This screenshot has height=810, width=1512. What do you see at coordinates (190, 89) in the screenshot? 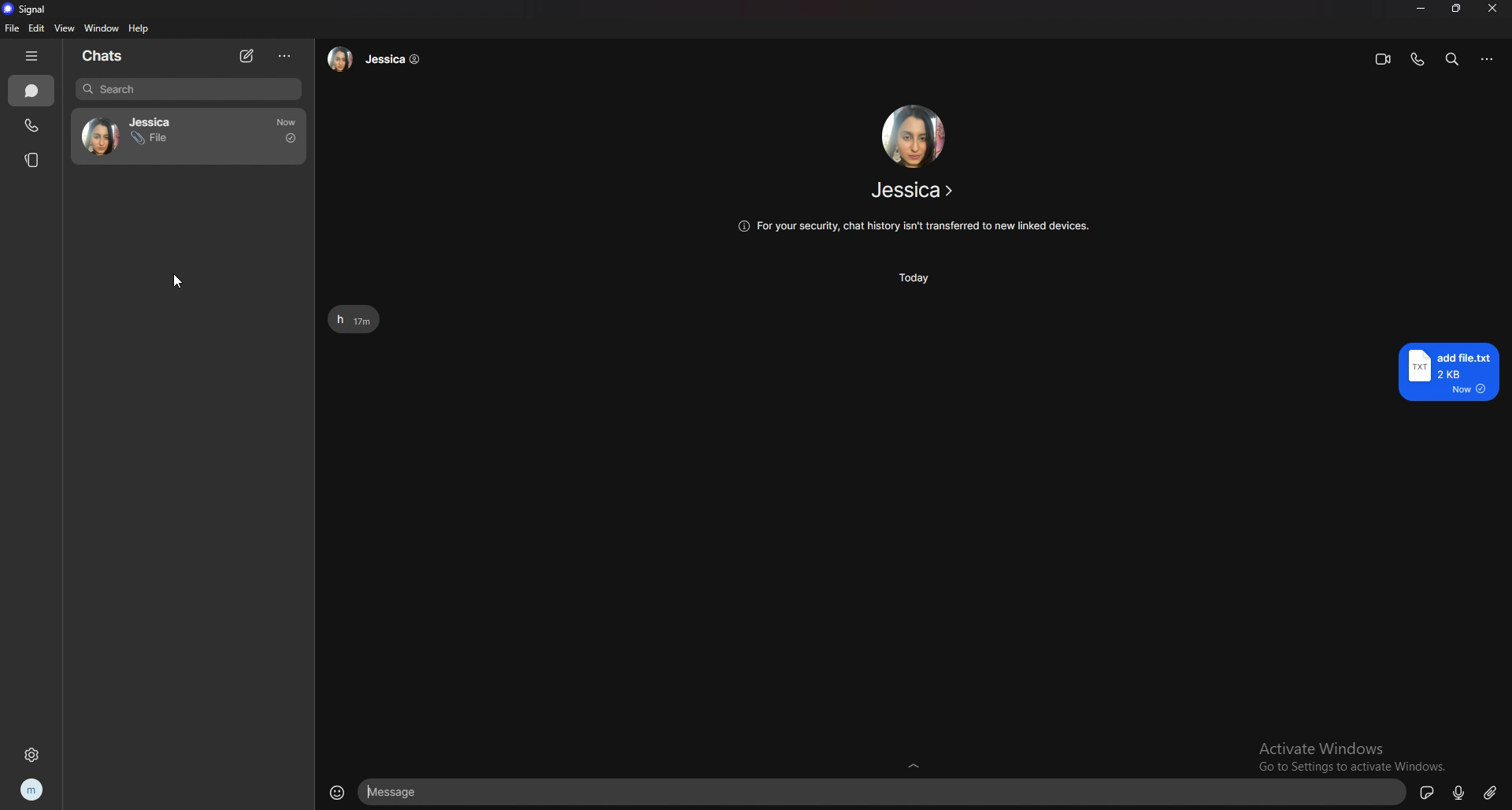
I see `search bar` at bounding box center [190, 89].